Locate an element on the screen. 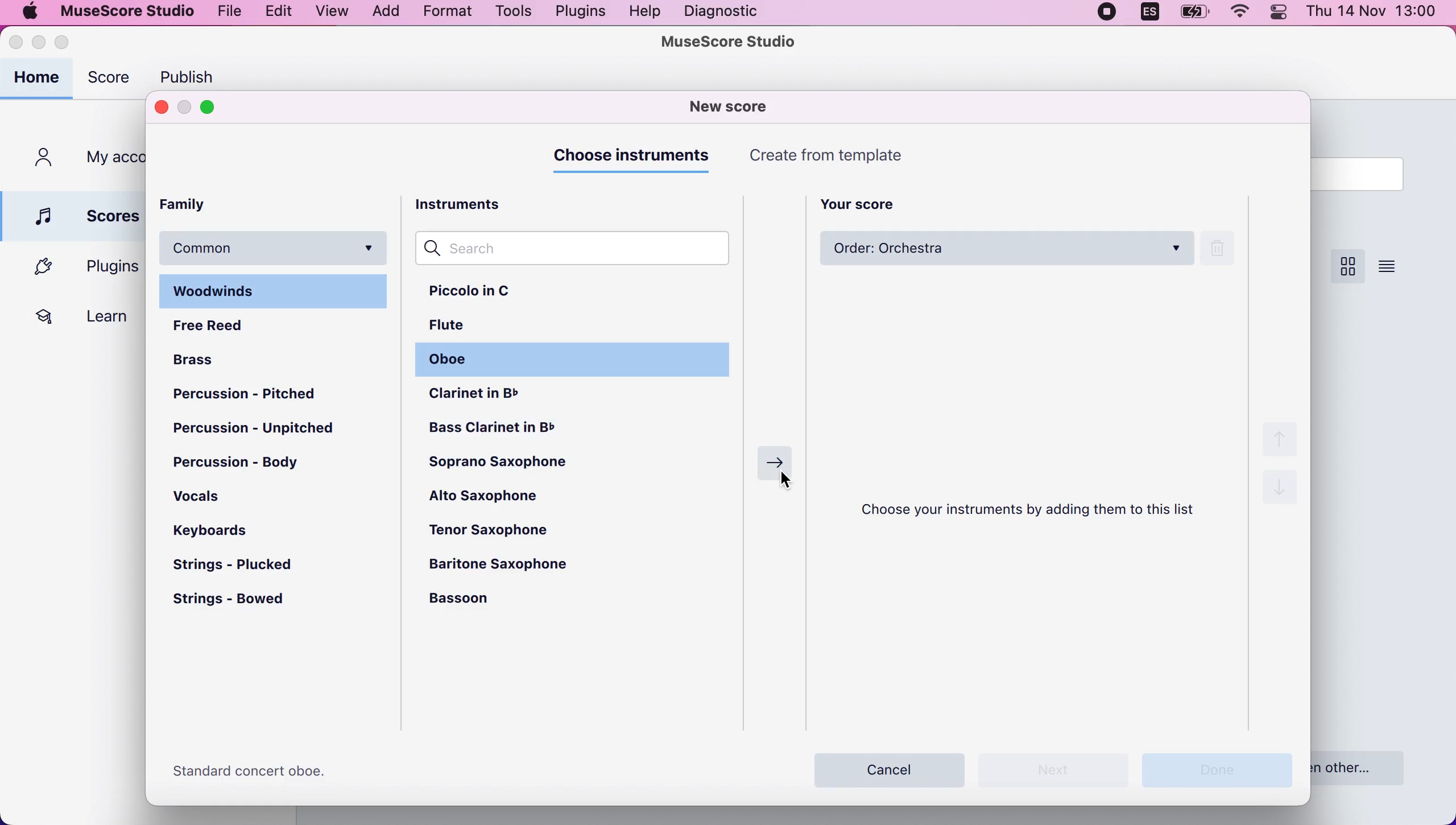 This screenshot has width=1456, height=825. your score is located at coordinates (867, 203).